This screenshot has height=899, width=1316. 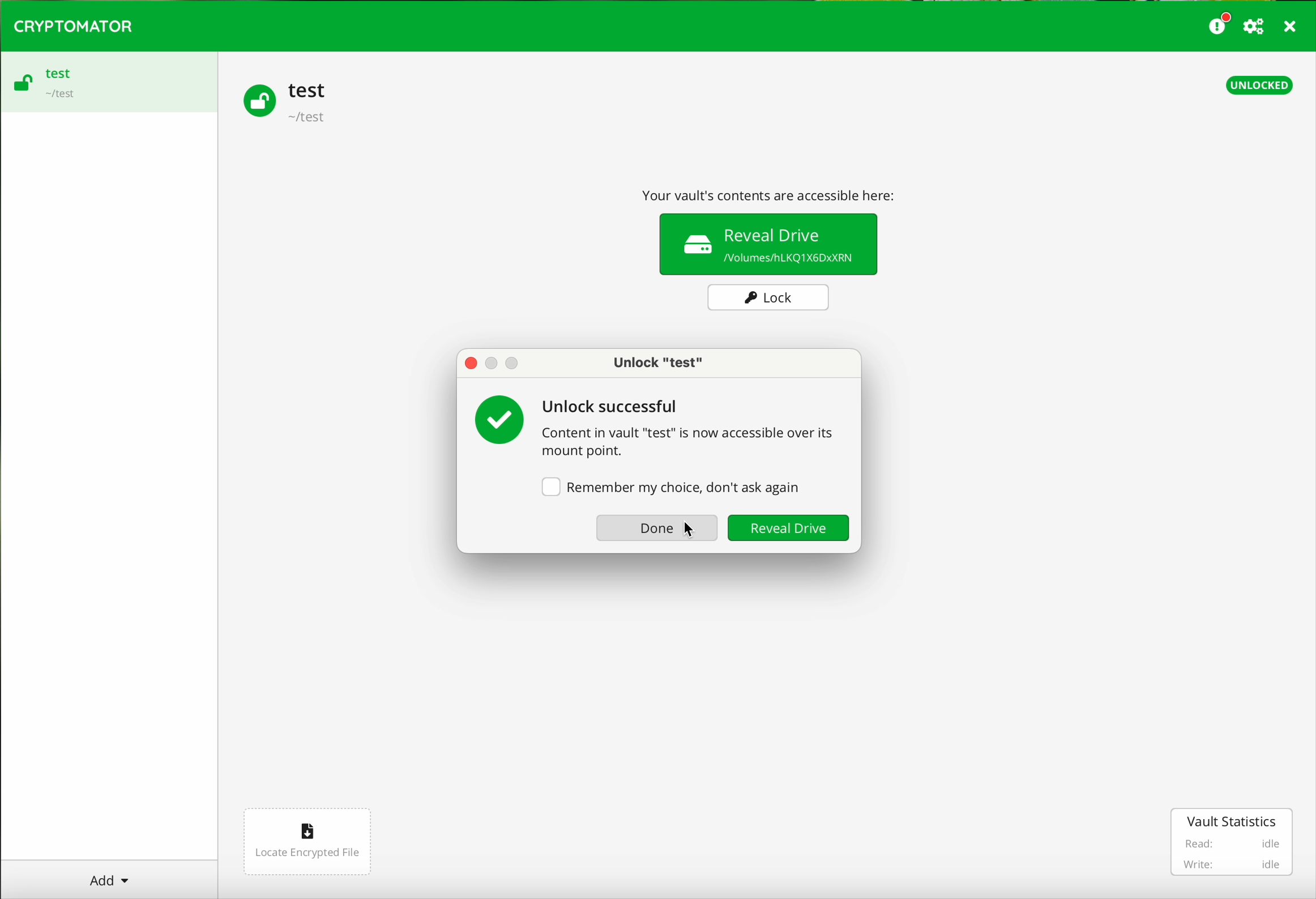 I want to click on Reveal Drive, so click(x=788, y=529).